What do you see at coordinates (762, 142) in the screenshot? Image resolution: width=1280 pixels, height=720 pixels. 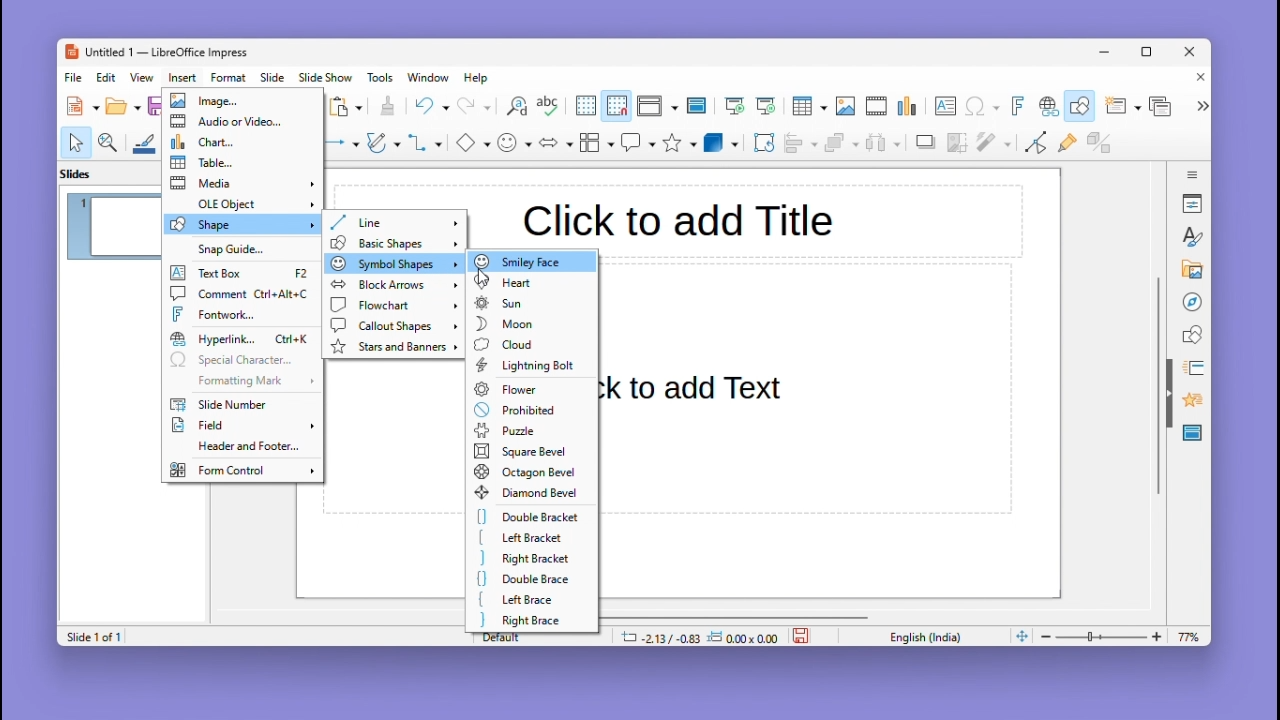 I see `Rotate` at bounding box center [762, 142].